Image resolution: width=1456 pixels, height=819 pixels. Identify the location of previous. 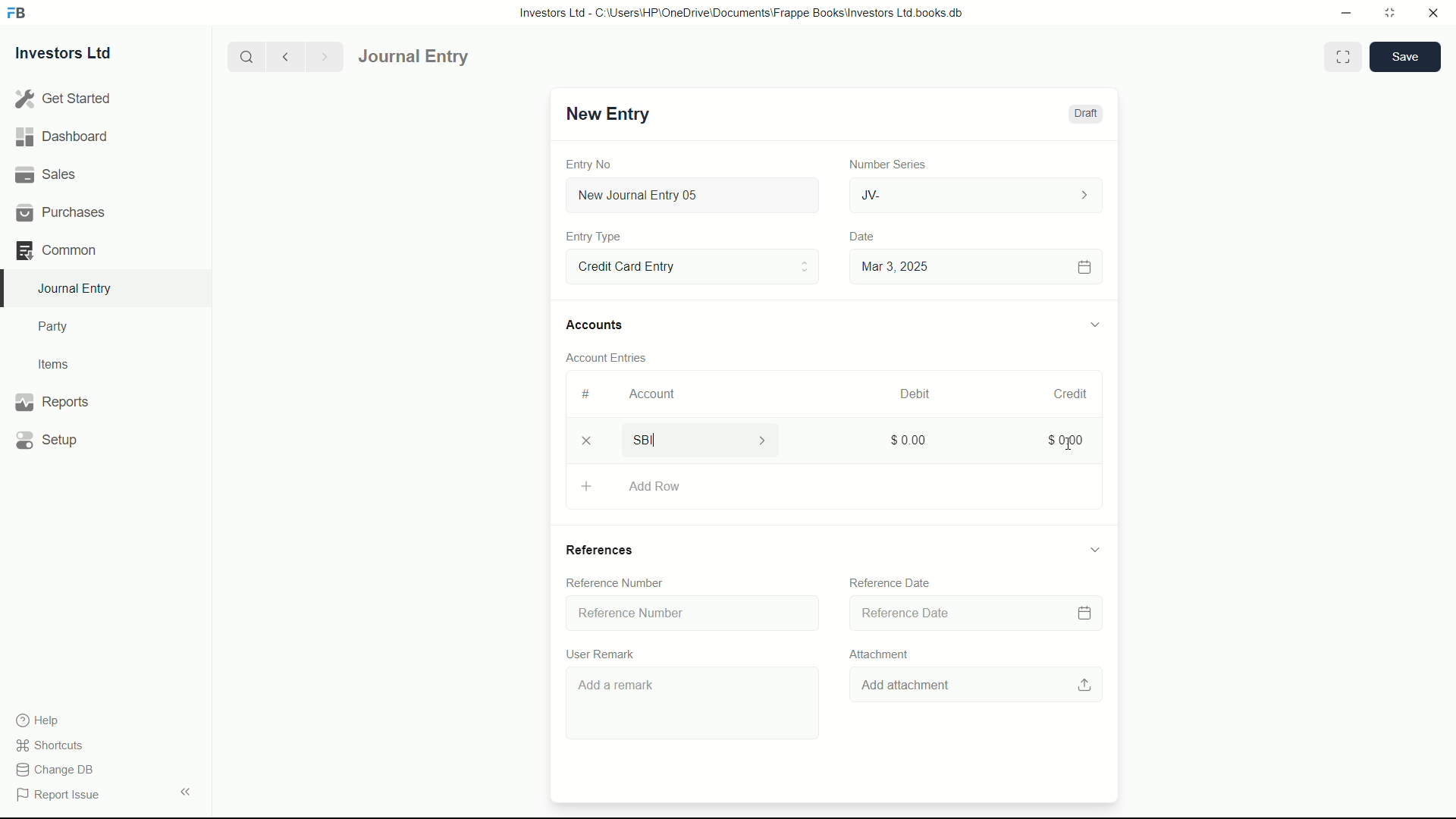
(284, 56).